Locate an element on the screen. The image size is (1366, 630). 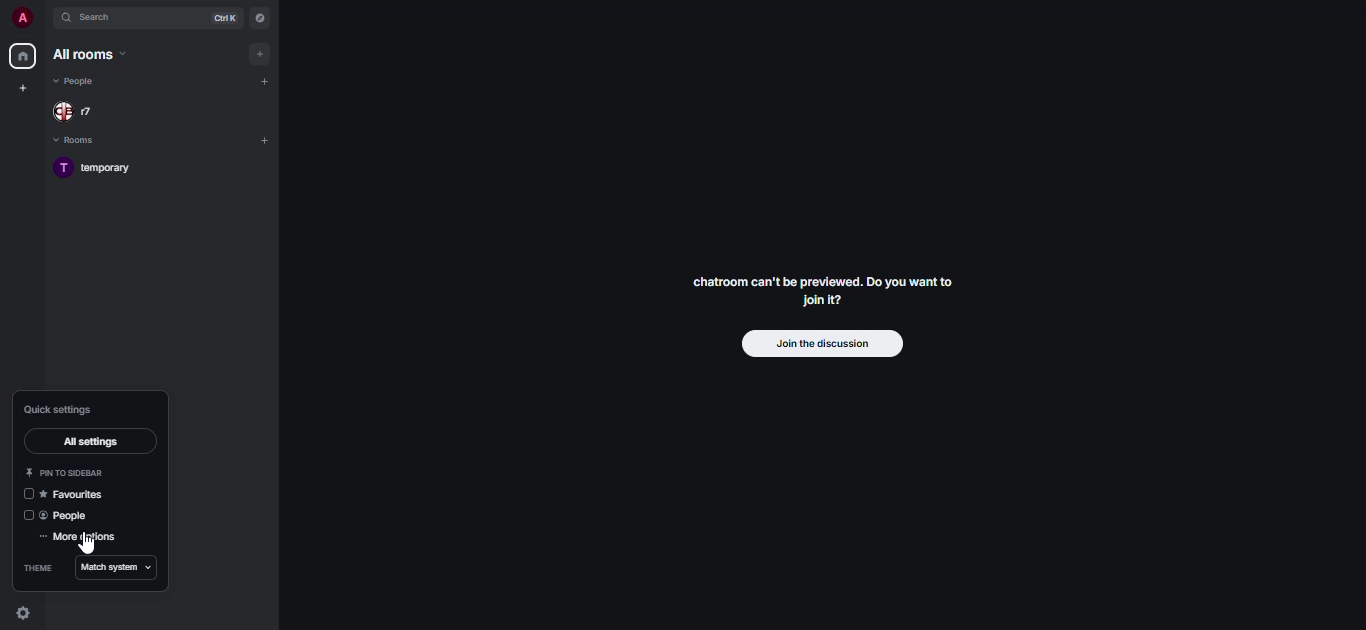
create space is located at coordinates (22, 88).